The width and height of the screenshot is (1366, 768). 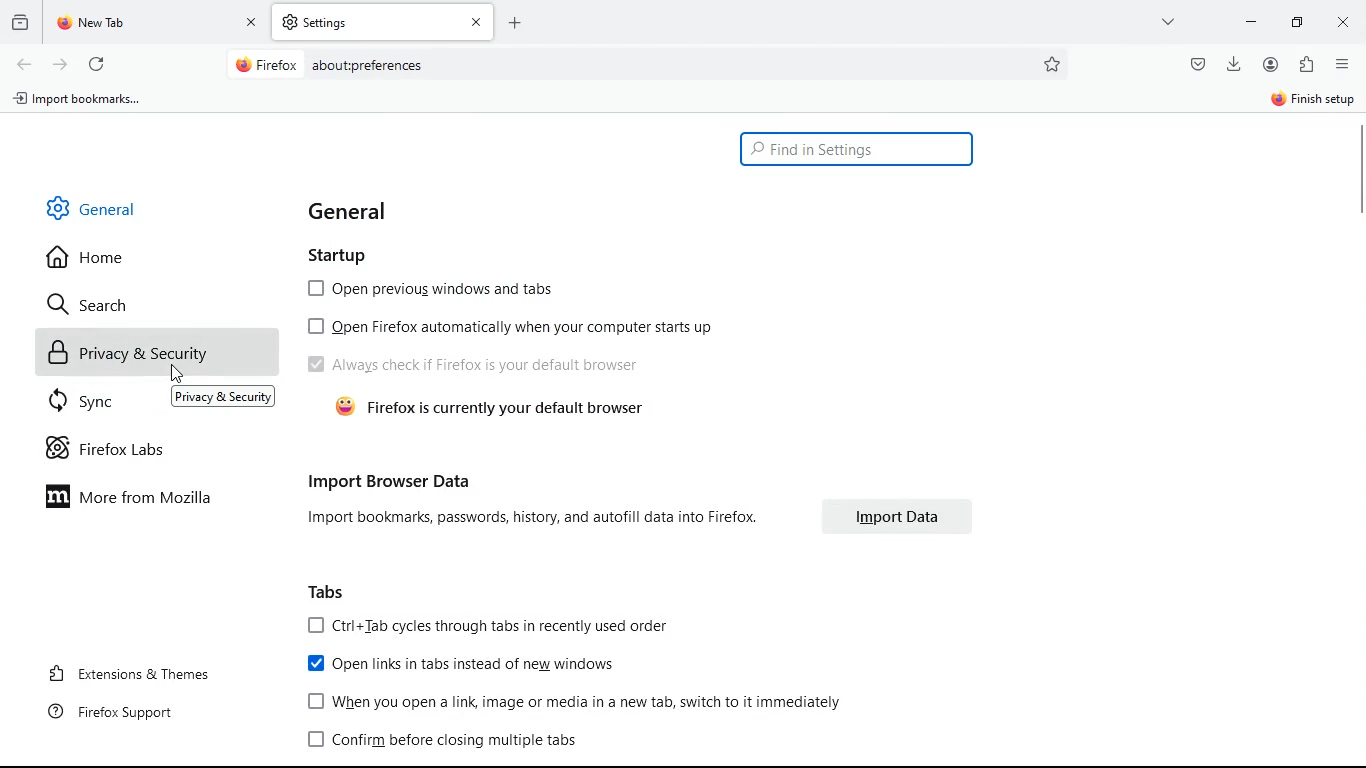 I want to click on firefox support, so click(x=124, y=711).